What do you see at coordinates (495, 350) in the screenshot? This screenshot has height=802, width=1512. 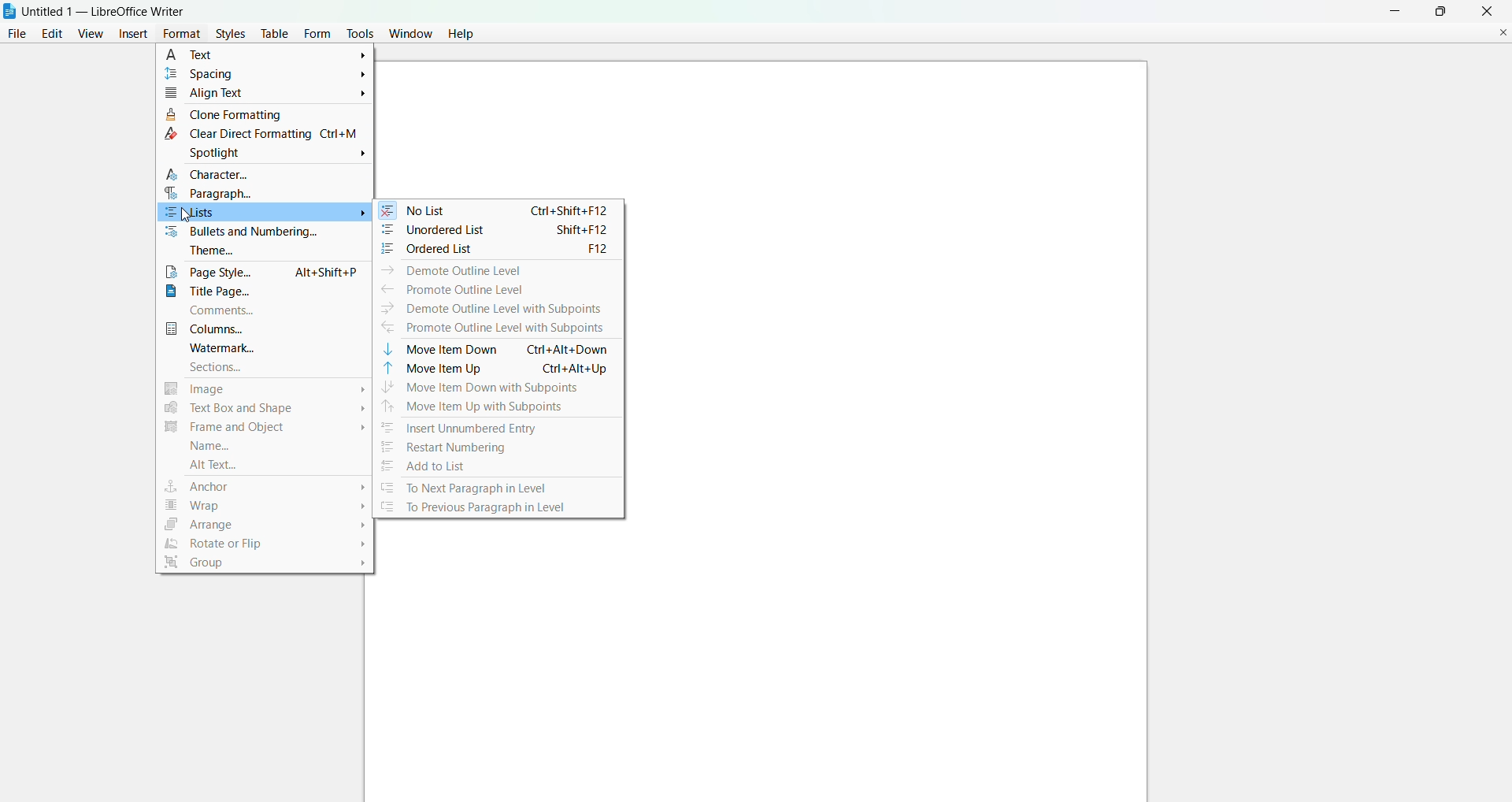 I see `move item down Ctrl+Alt+Down` at bounding box center [495, 350].